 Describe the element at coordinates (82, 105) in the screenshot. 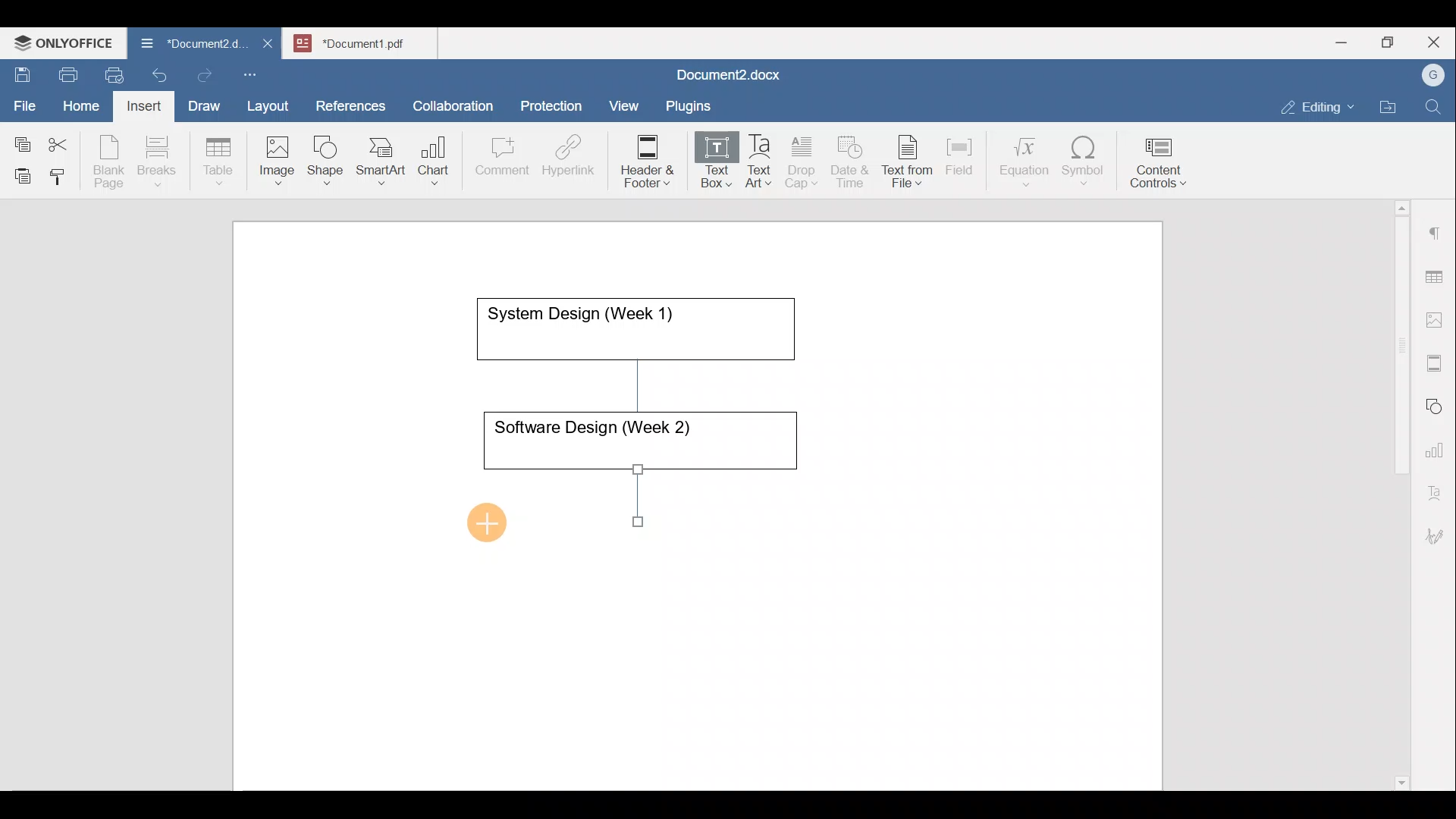

I see `Home` at that location.